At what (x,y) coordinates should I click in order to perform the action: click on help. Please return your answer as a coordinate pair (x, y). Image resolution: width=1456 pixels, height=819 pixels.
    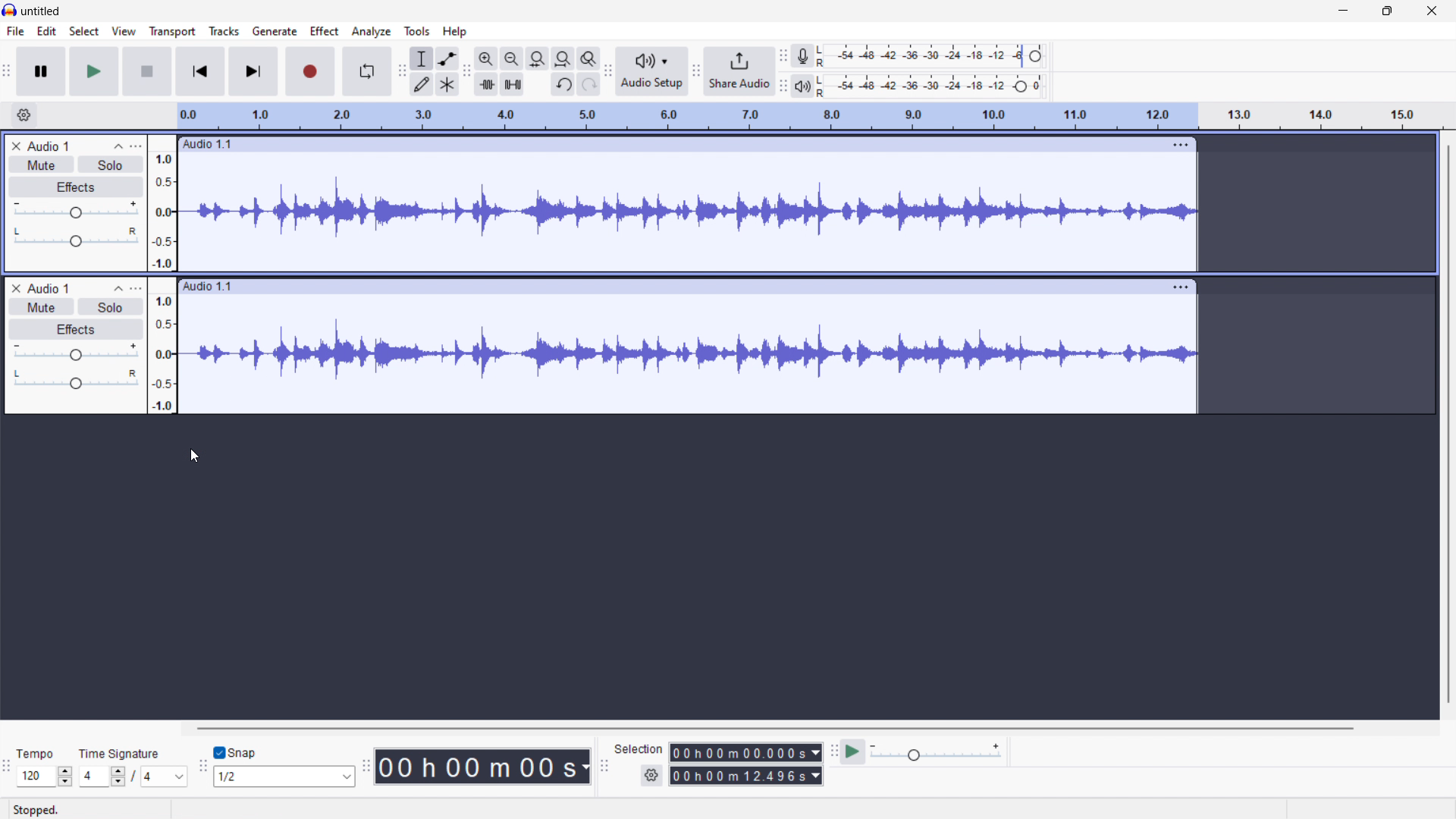
    Looking at the image, I should click on (454, 32).